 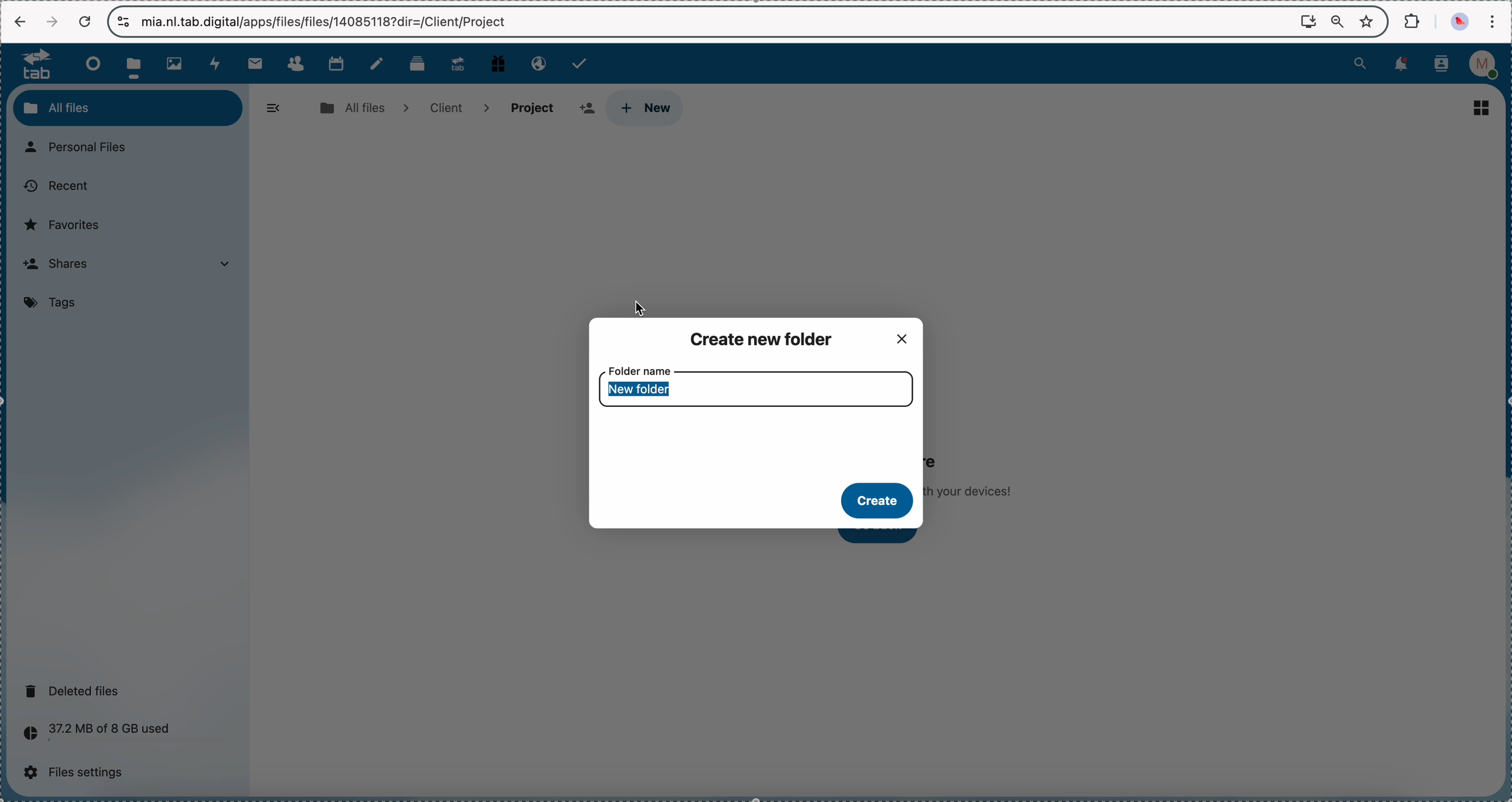 I want to click on controls, so click(x=124, y=22).